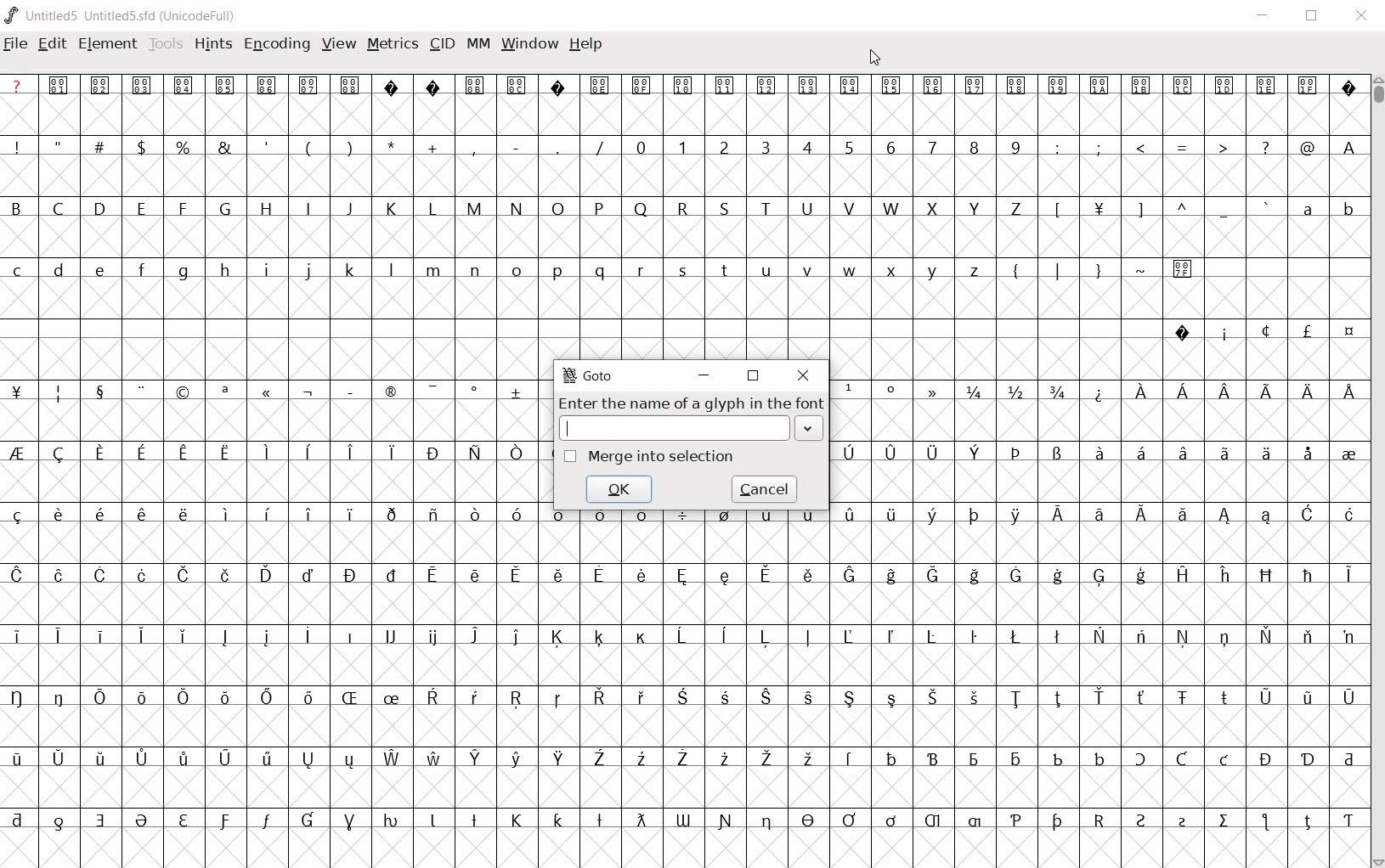 The height and width of the screenshot is (868, 1385). What do you see at coordinates (682, 268) in the screenshot?
I see `s` at bounding box center [682, 268].